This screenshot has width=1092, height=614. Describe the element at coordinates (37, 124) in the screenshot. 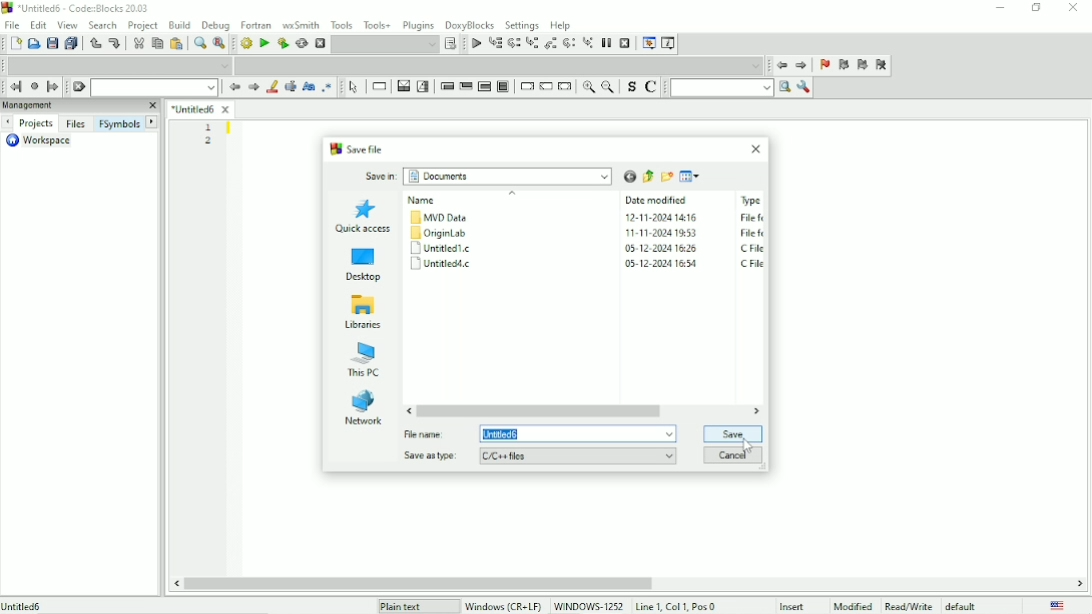

I see `Projects` at that location.